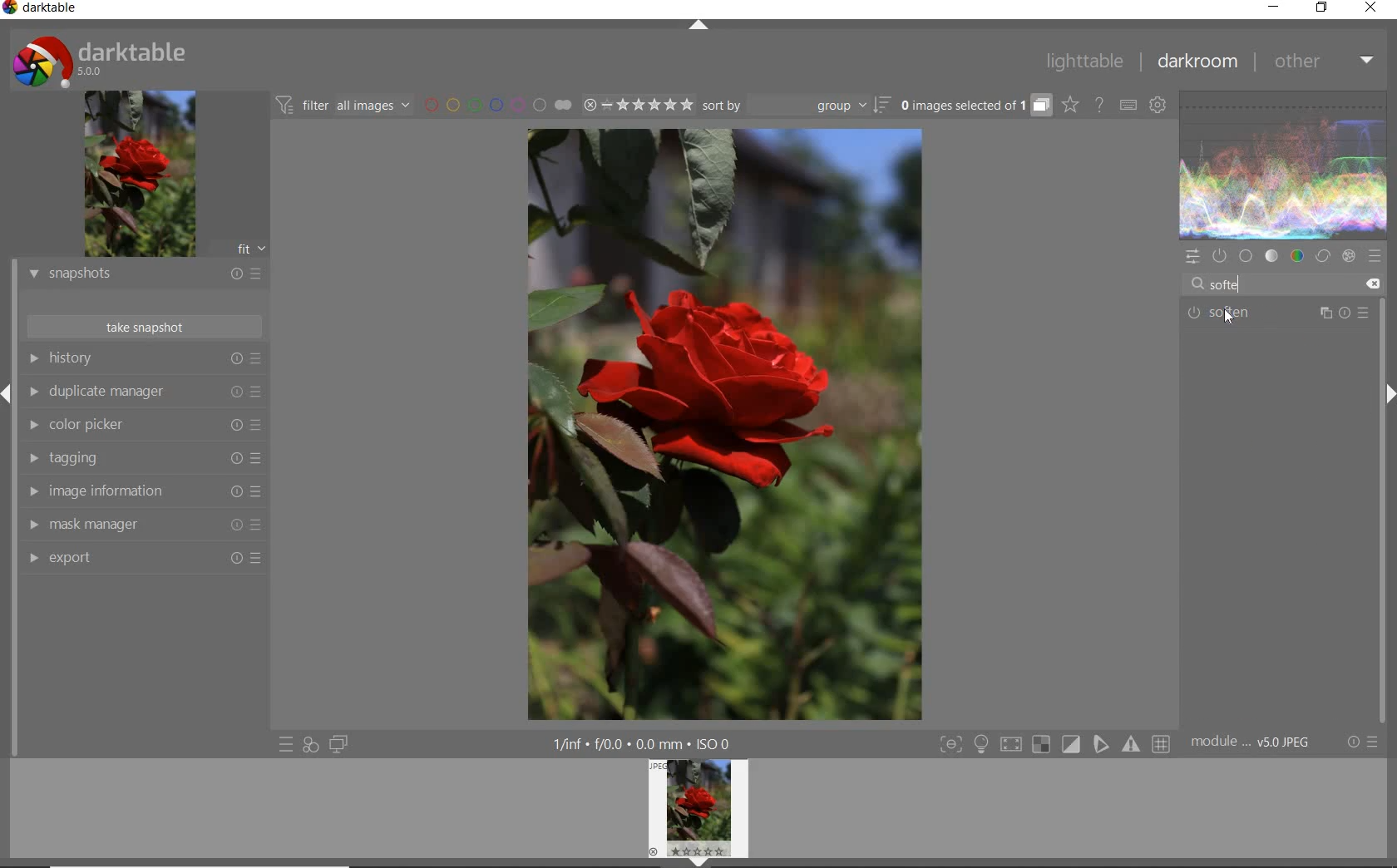  Describe the element at coordinates (1322, 257) in the screenshot. I see `correct` at that location.